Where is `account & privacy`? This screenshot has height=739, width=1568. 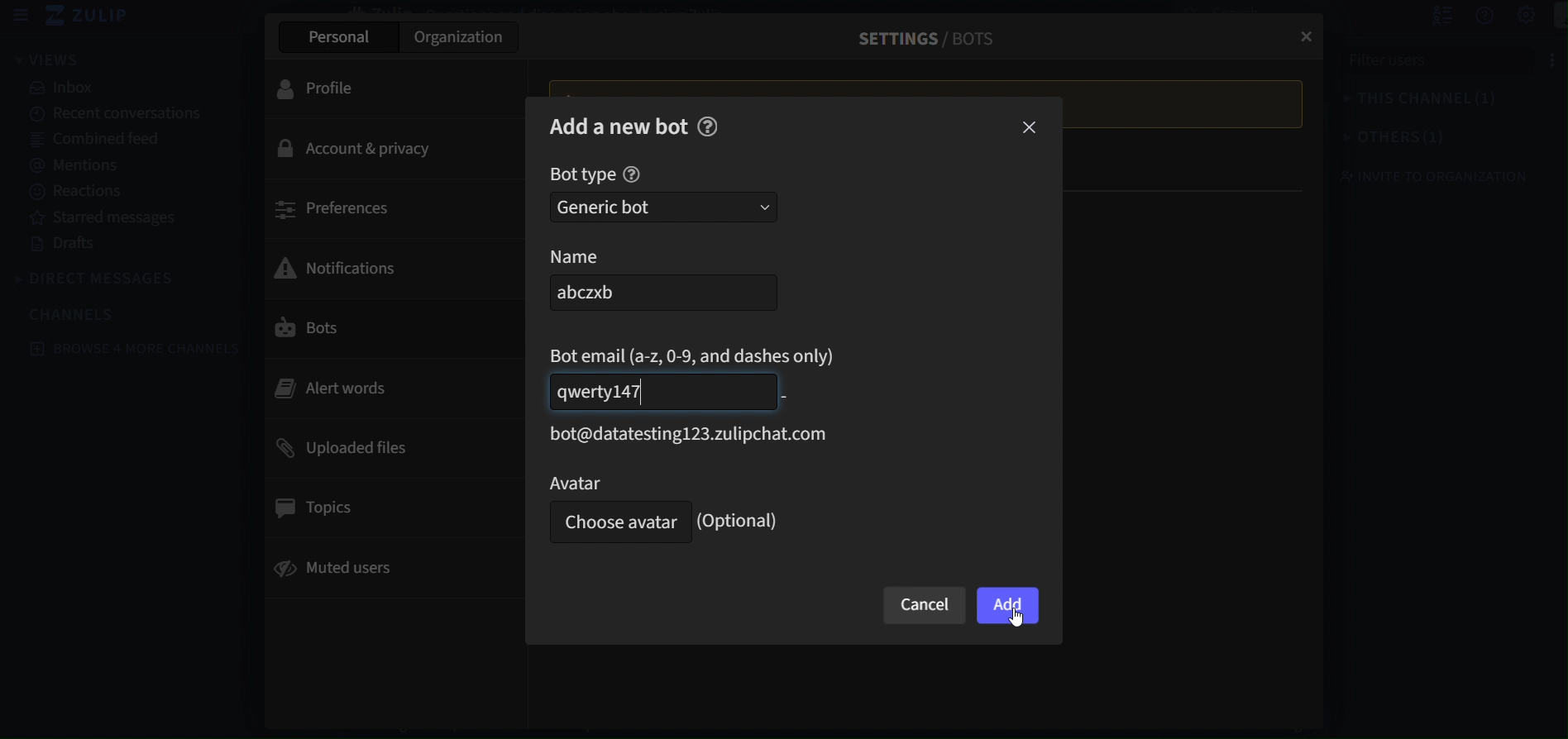
account & privacy is located at coordinates (387, 150).